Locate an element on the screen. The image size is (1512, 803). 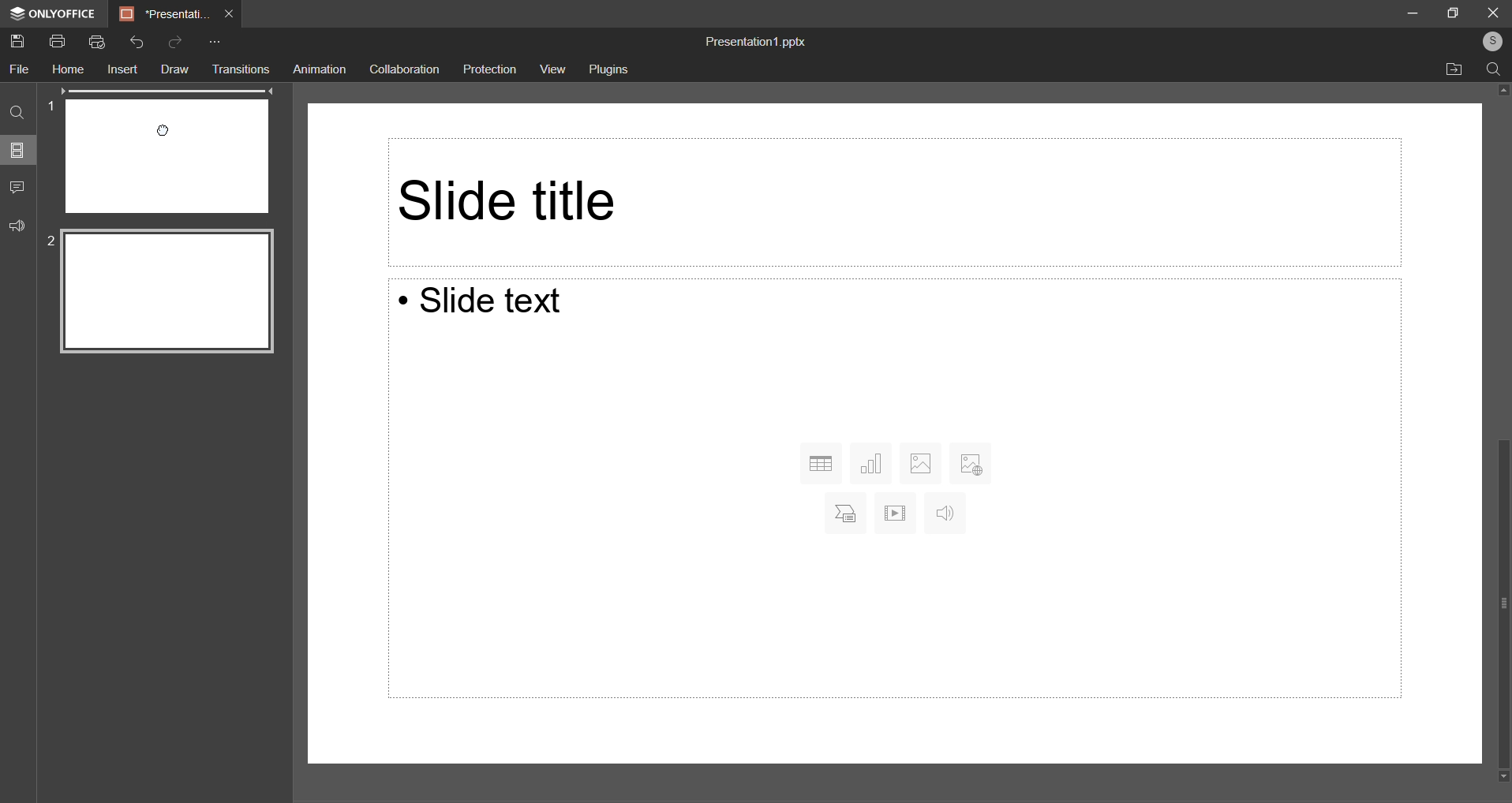
Move down is located at coordinates (1499, 777).